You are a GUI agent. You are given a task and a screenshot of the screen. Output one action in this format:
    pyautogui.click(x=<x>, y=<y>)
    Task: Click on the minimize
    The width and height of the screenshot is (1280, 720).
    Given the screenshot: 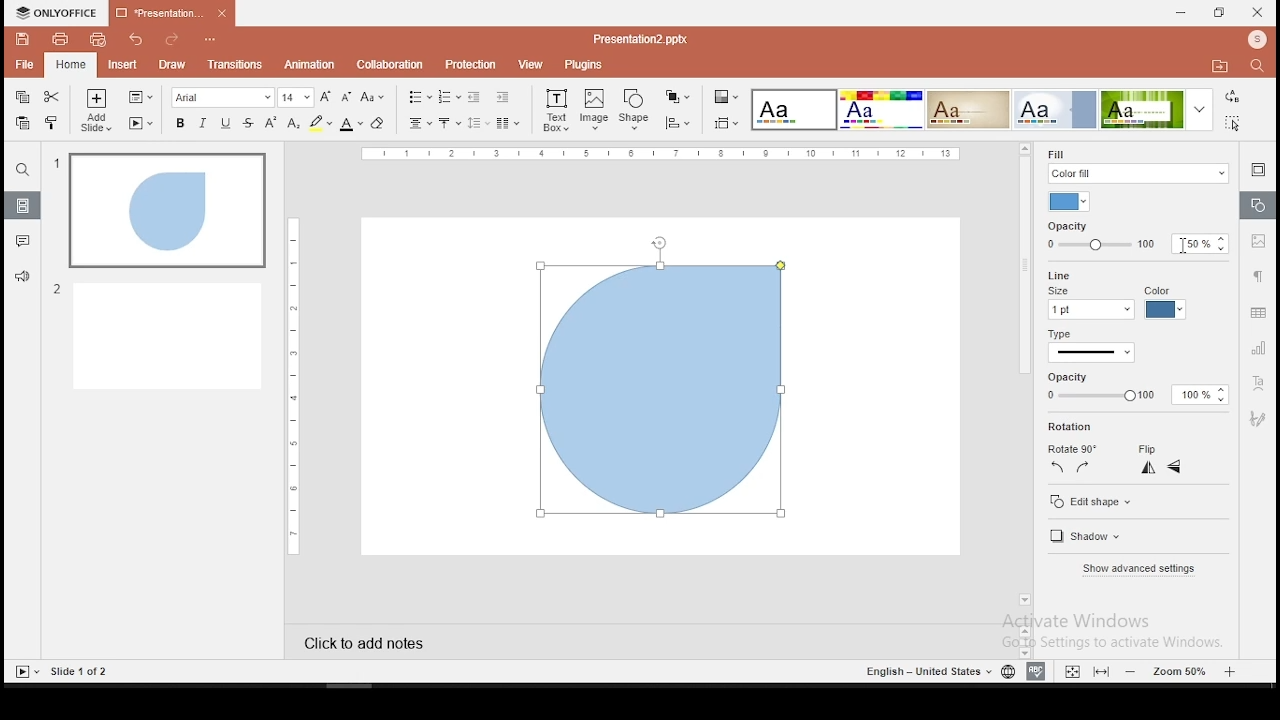 What is the action you would take?
    pyautogui.click(x=1180, y=12)
    